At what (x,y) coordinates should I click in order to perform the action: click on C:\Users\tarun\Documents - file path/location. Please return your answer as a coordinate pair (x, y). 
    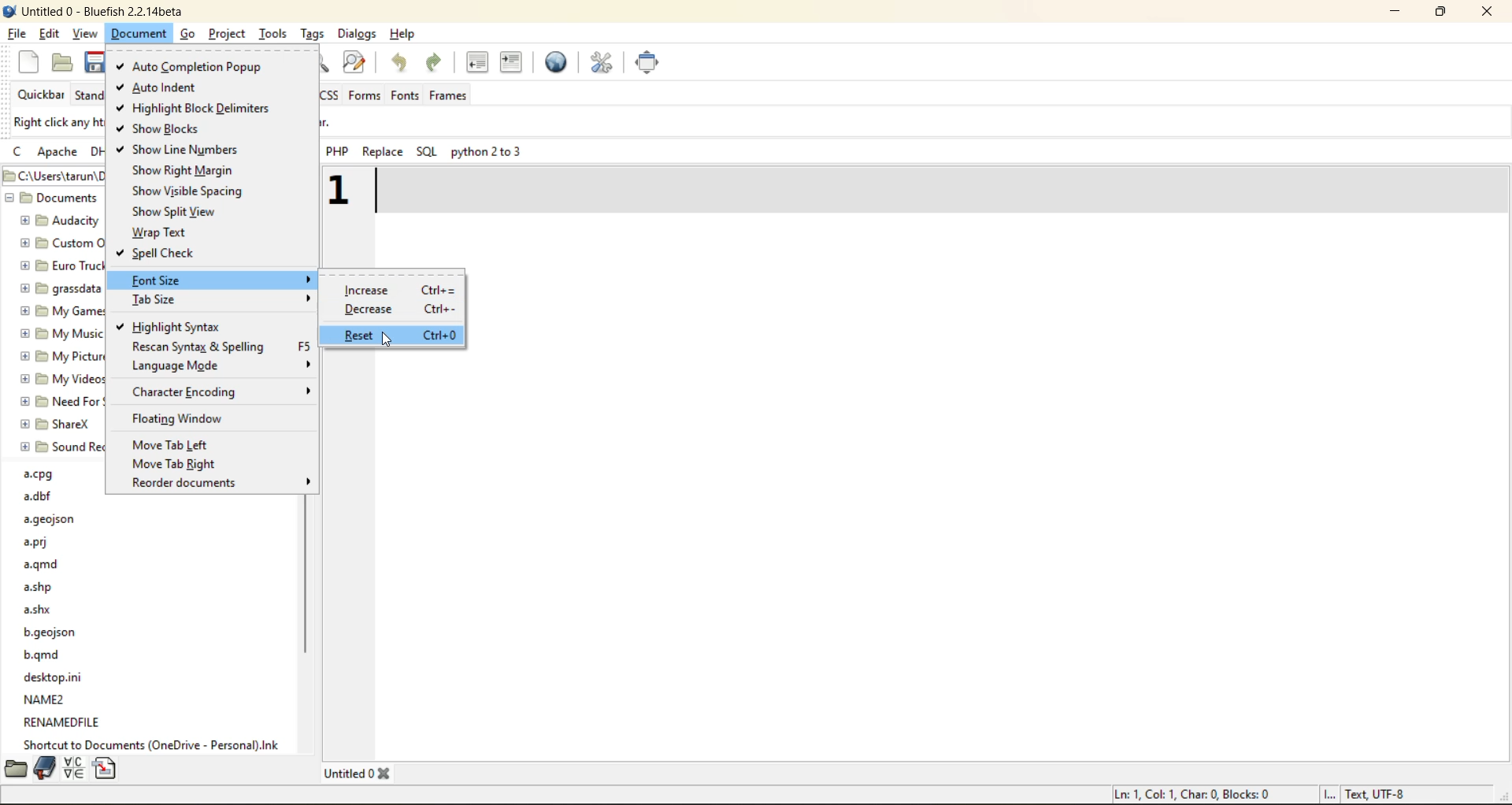
    Looking at the image, I should click on (54, 175).